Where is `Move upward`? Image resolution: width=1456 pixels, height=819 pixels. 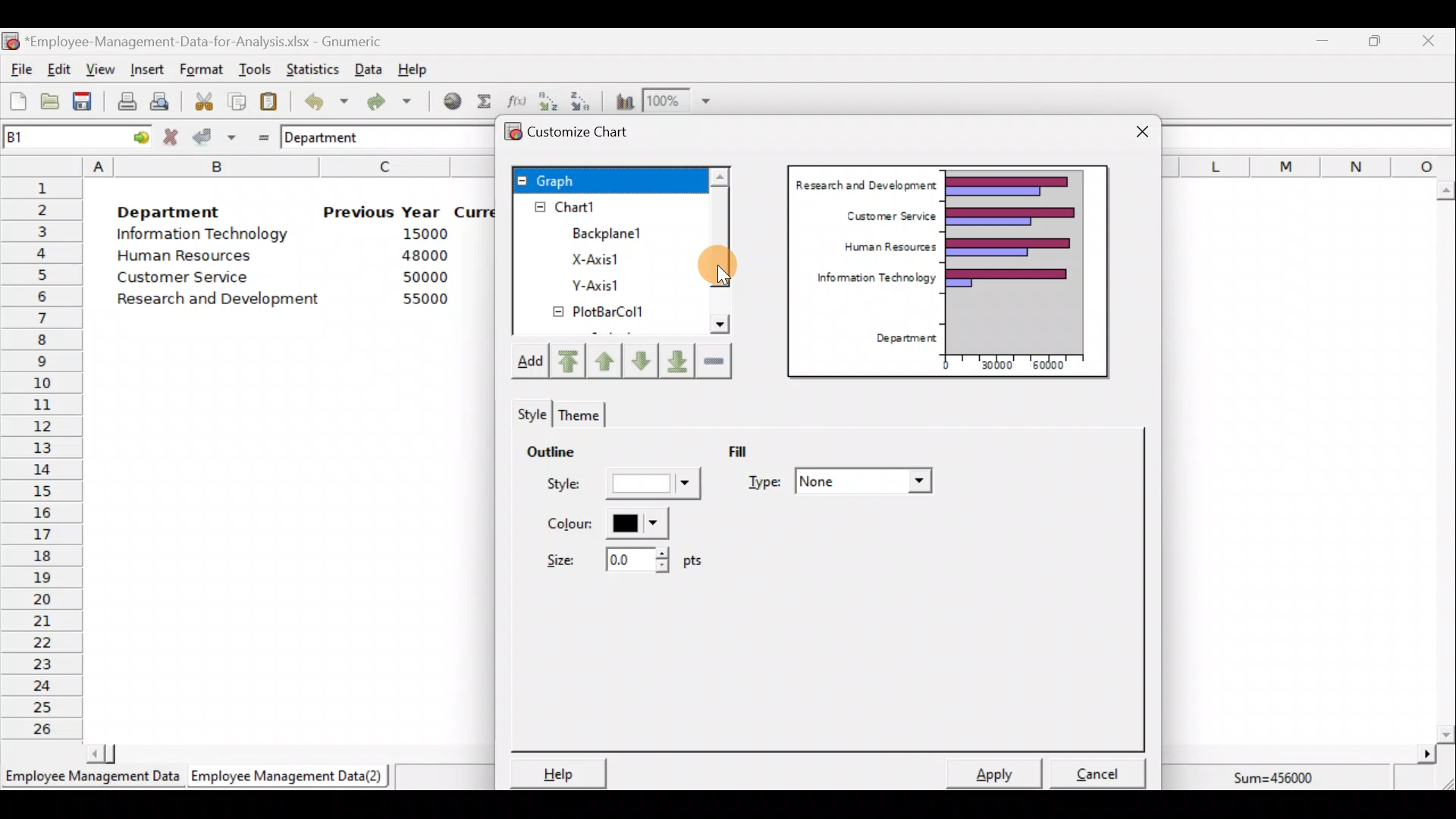 Move upward is located at coordinates (566, 362).